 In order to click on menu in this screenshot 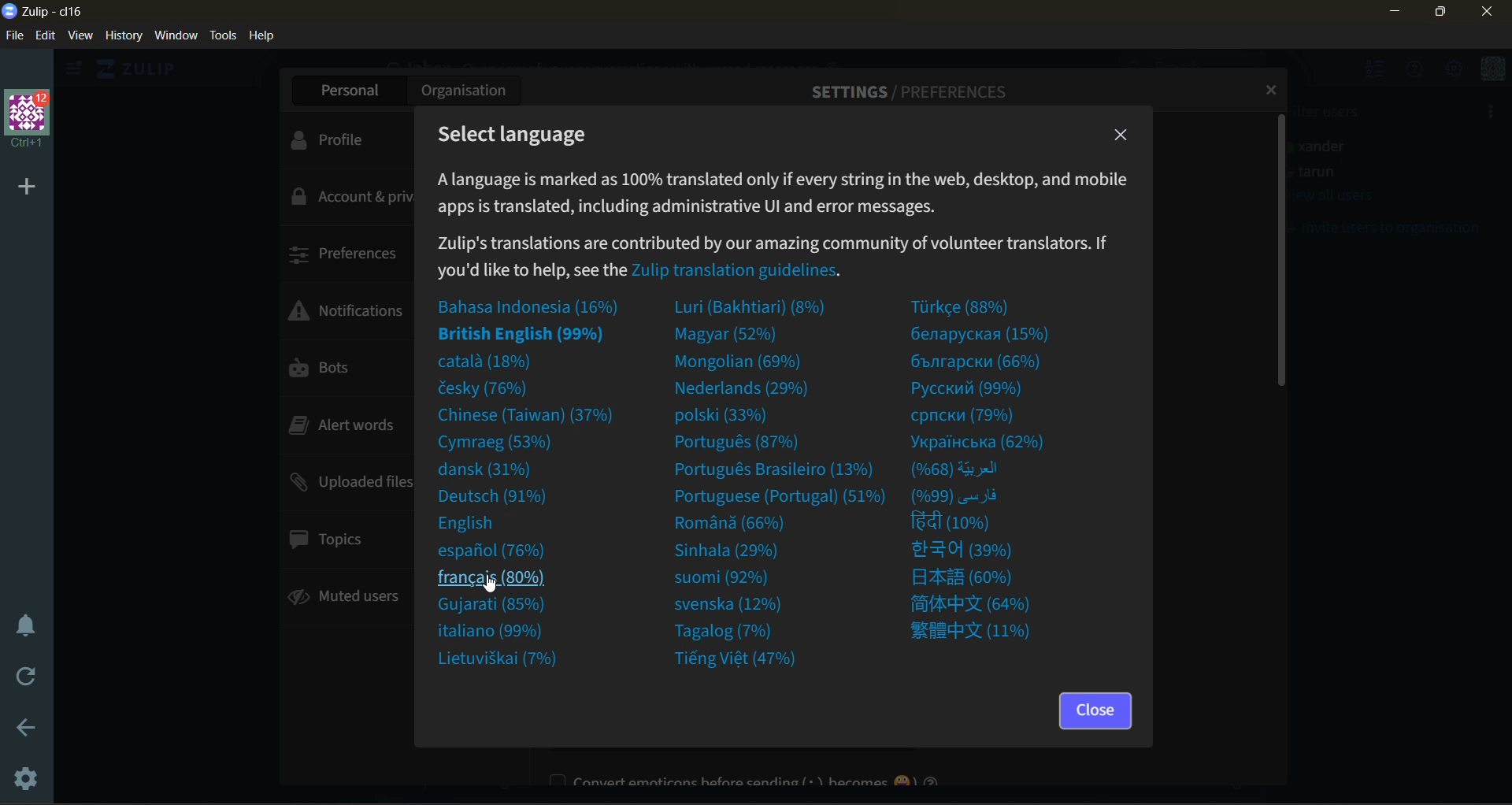, I will do `click(1477, 72)`.